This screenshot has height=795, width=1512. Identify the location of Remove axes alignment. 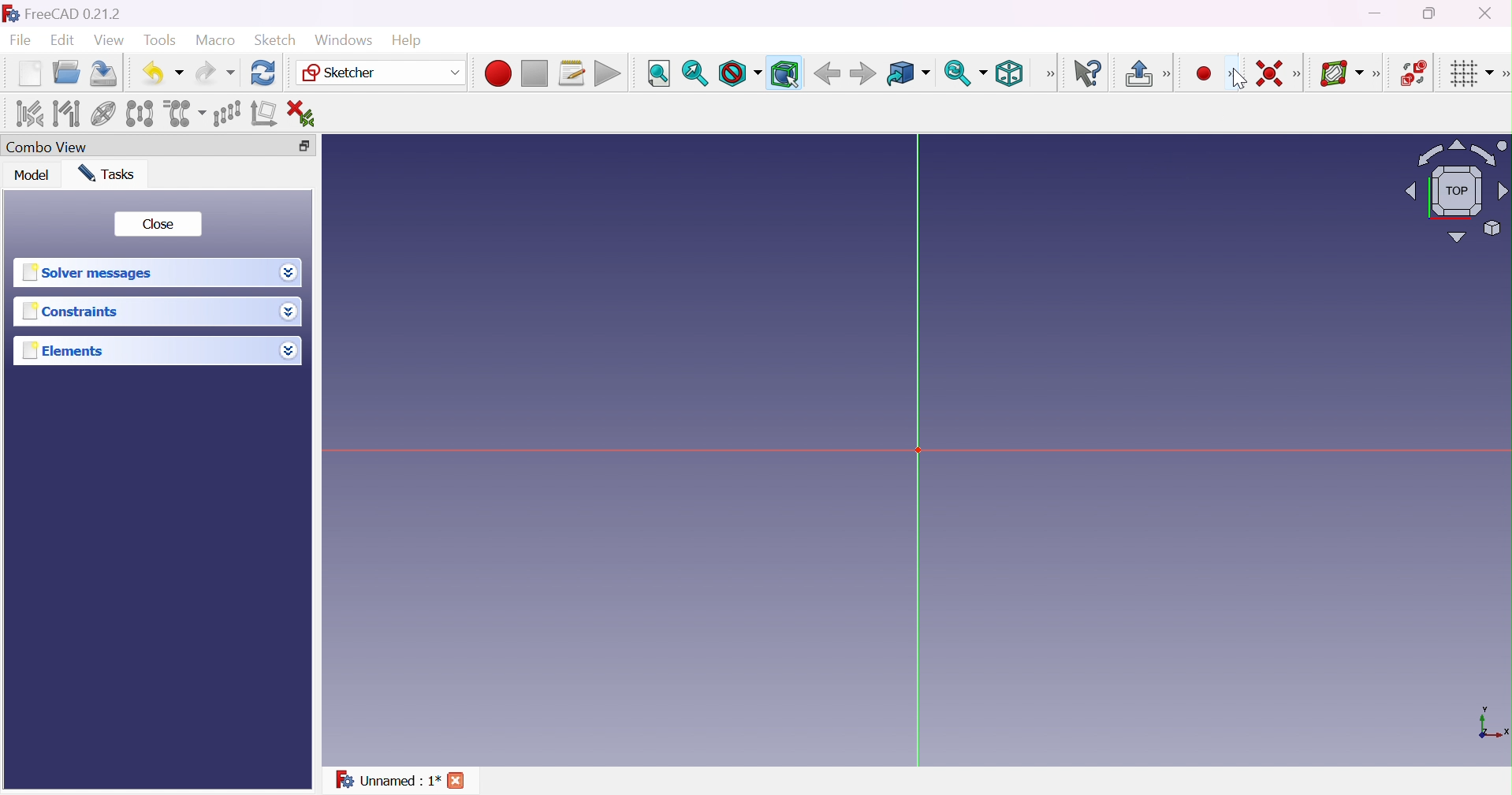
(264, 115).